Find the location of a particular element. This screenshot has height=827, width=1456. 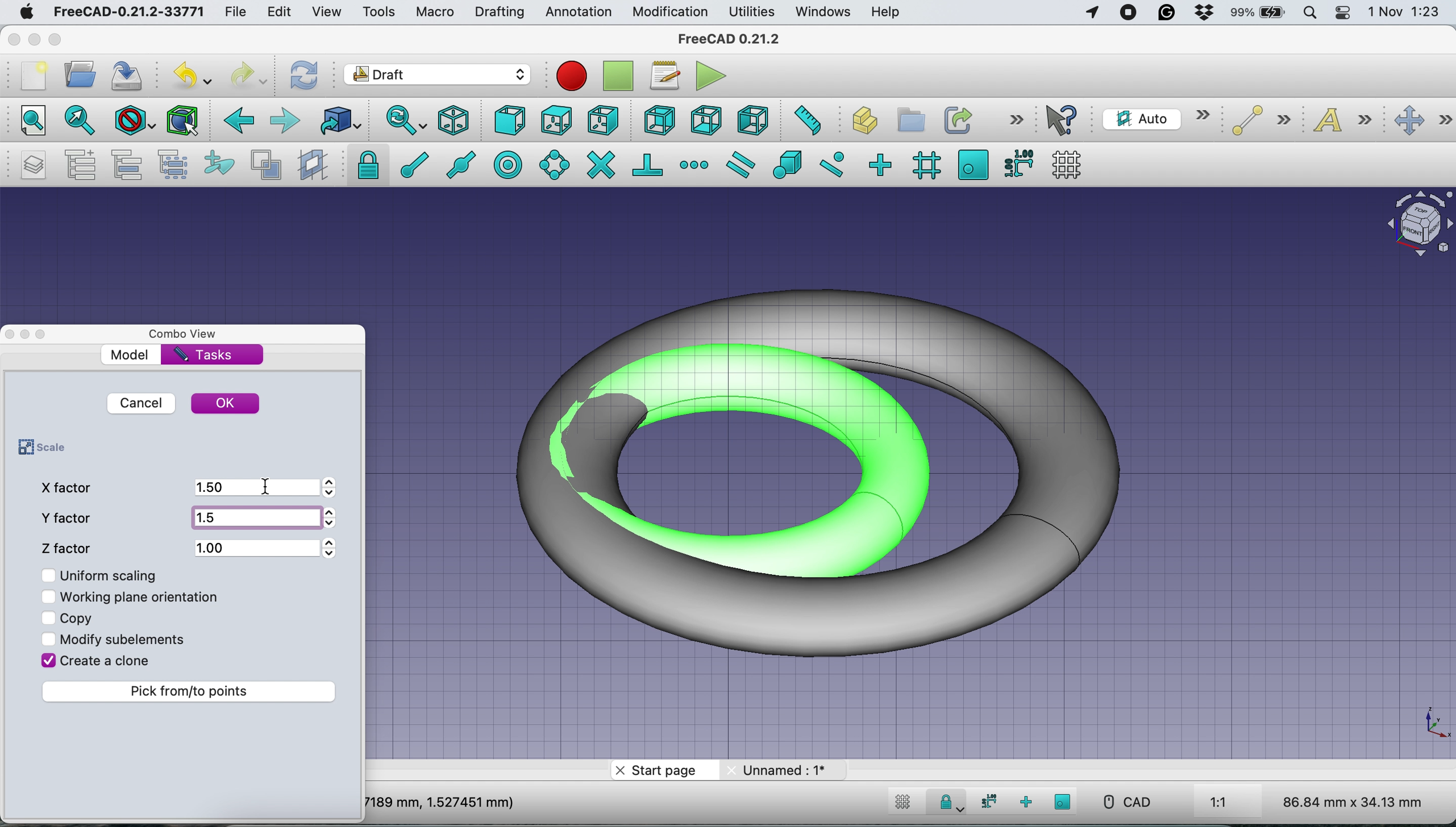

more options is located at coordinates (1014, 120).